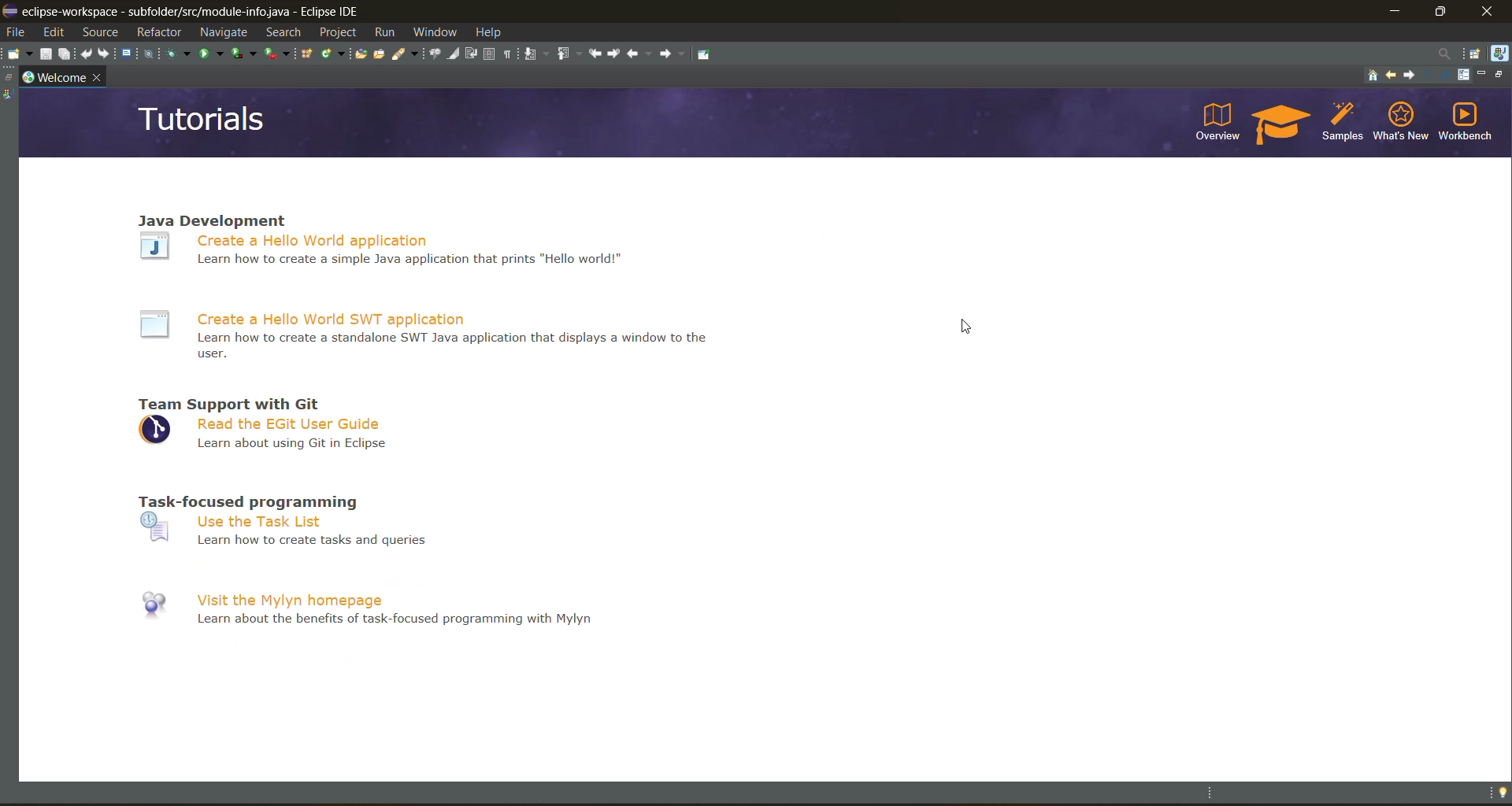 The image size is (1512, 806). I want to click on open task, so click(380, 52).